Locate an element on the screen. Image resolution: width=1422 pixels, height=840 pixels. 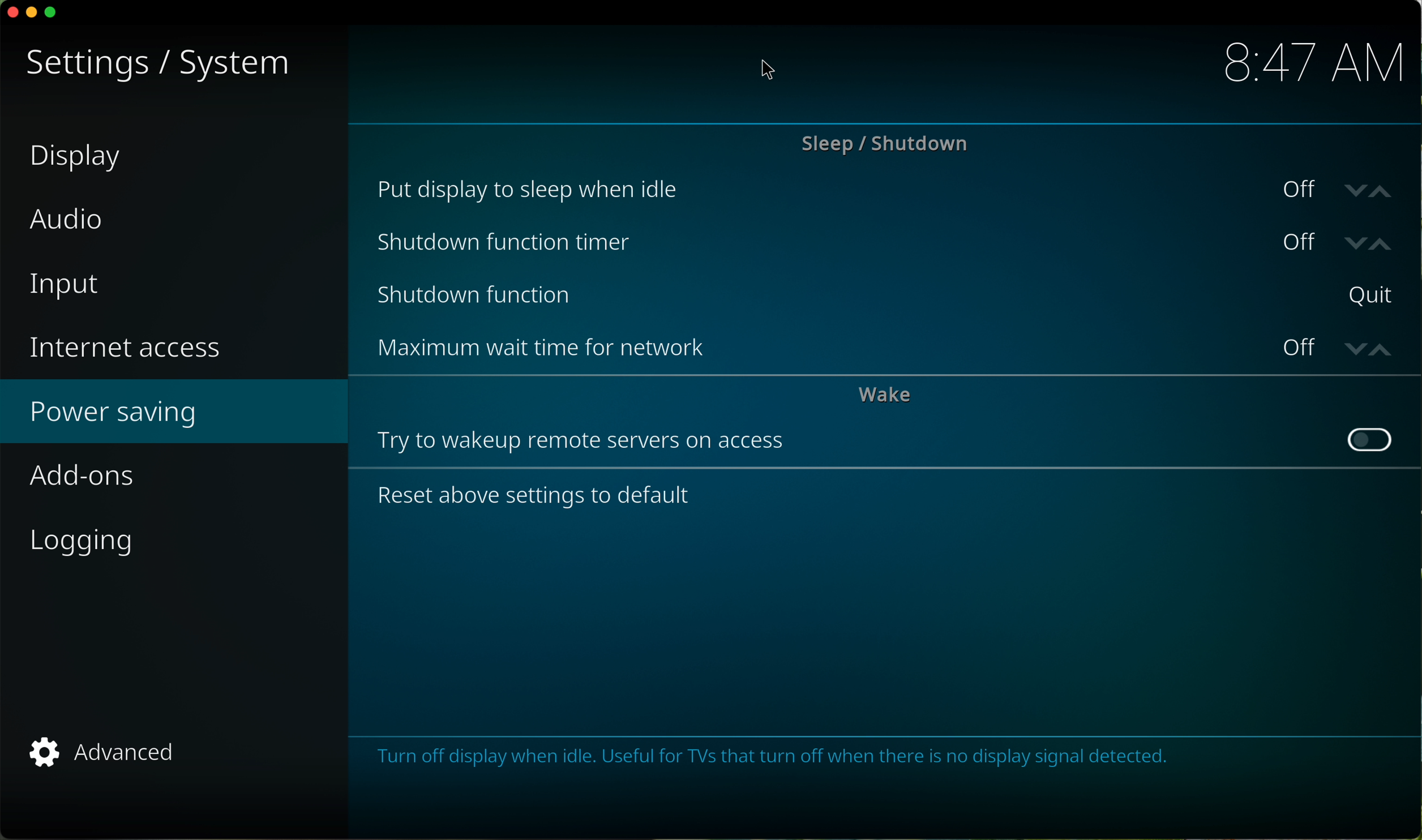
close is located at coordinates (10, 12).